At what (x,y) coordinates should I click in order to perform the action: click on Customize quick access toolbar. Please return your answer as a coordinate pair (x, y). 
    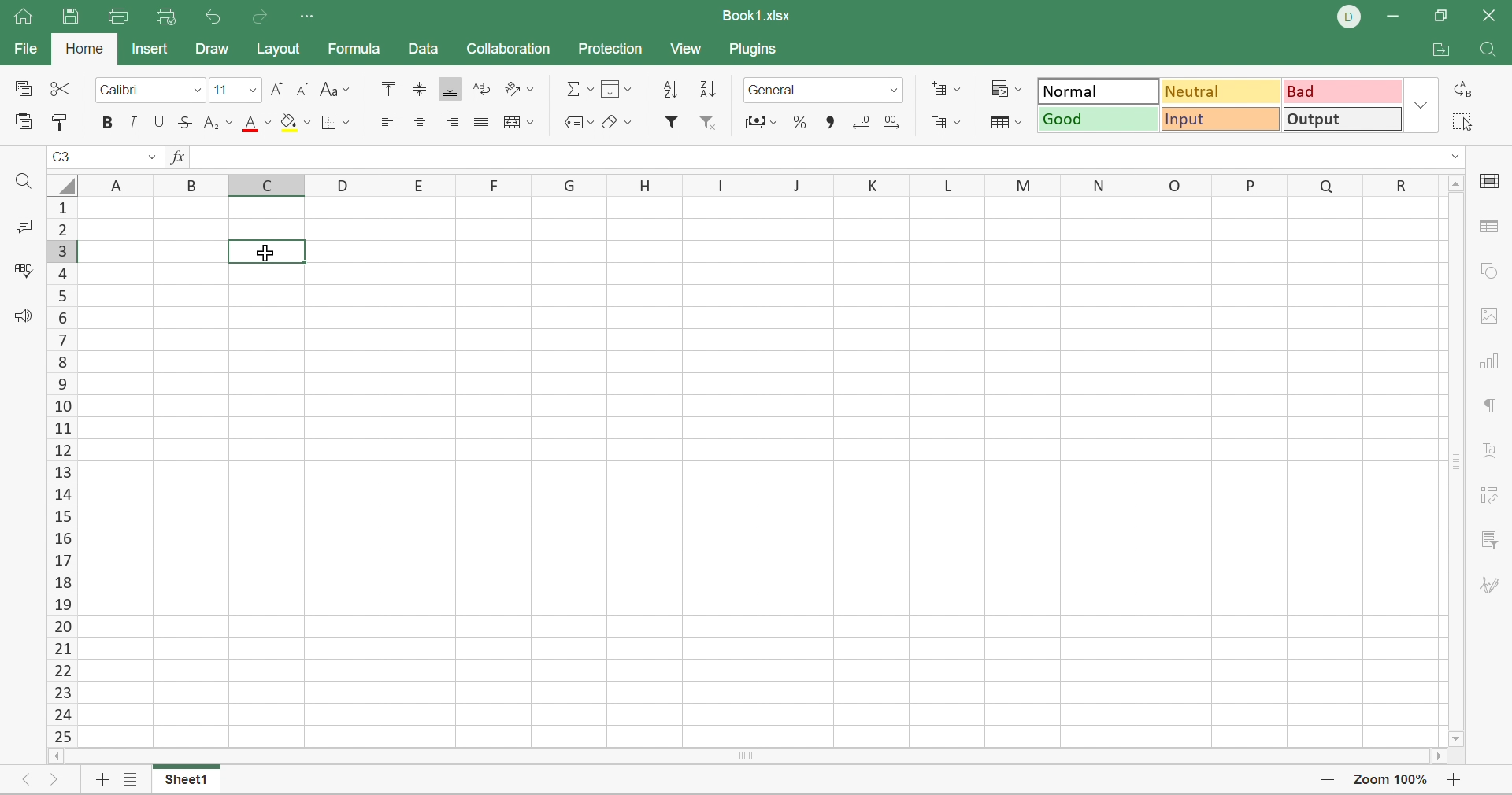
    Looking at the image, I should click on (311, 18).